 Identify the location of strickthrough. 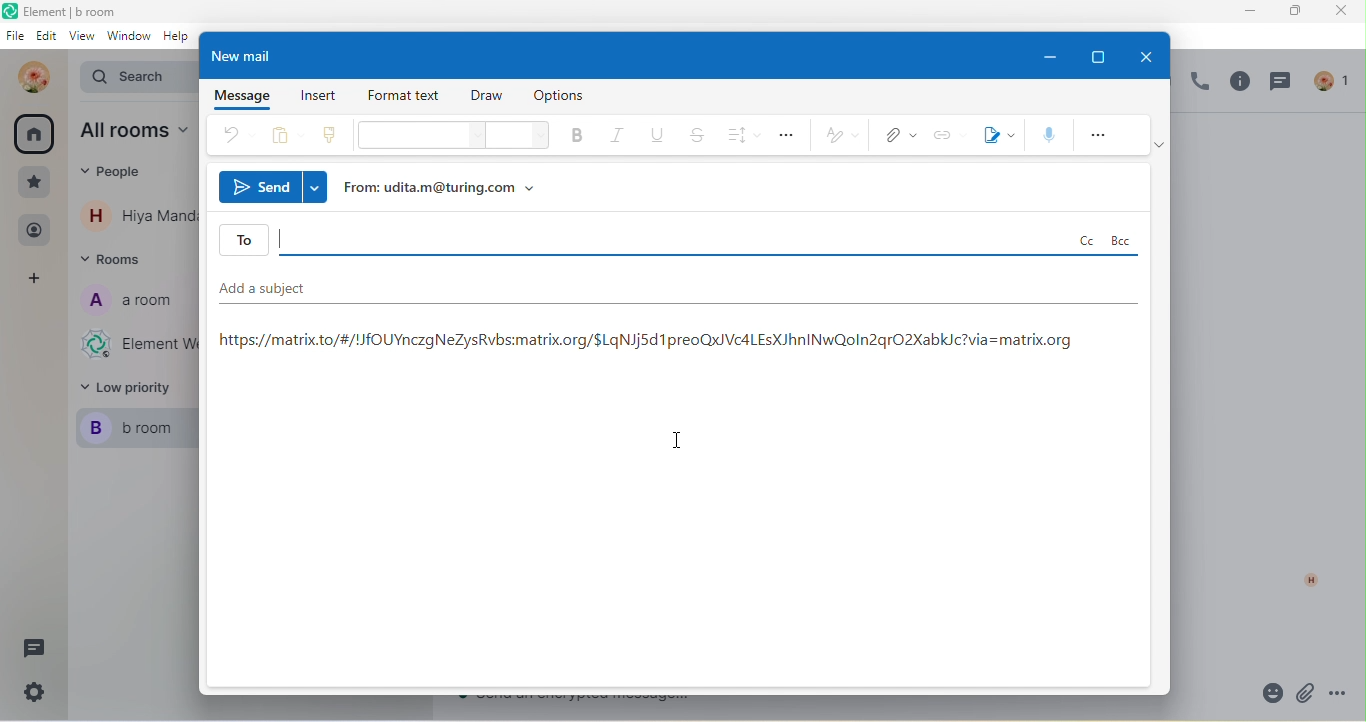
(698, 136).